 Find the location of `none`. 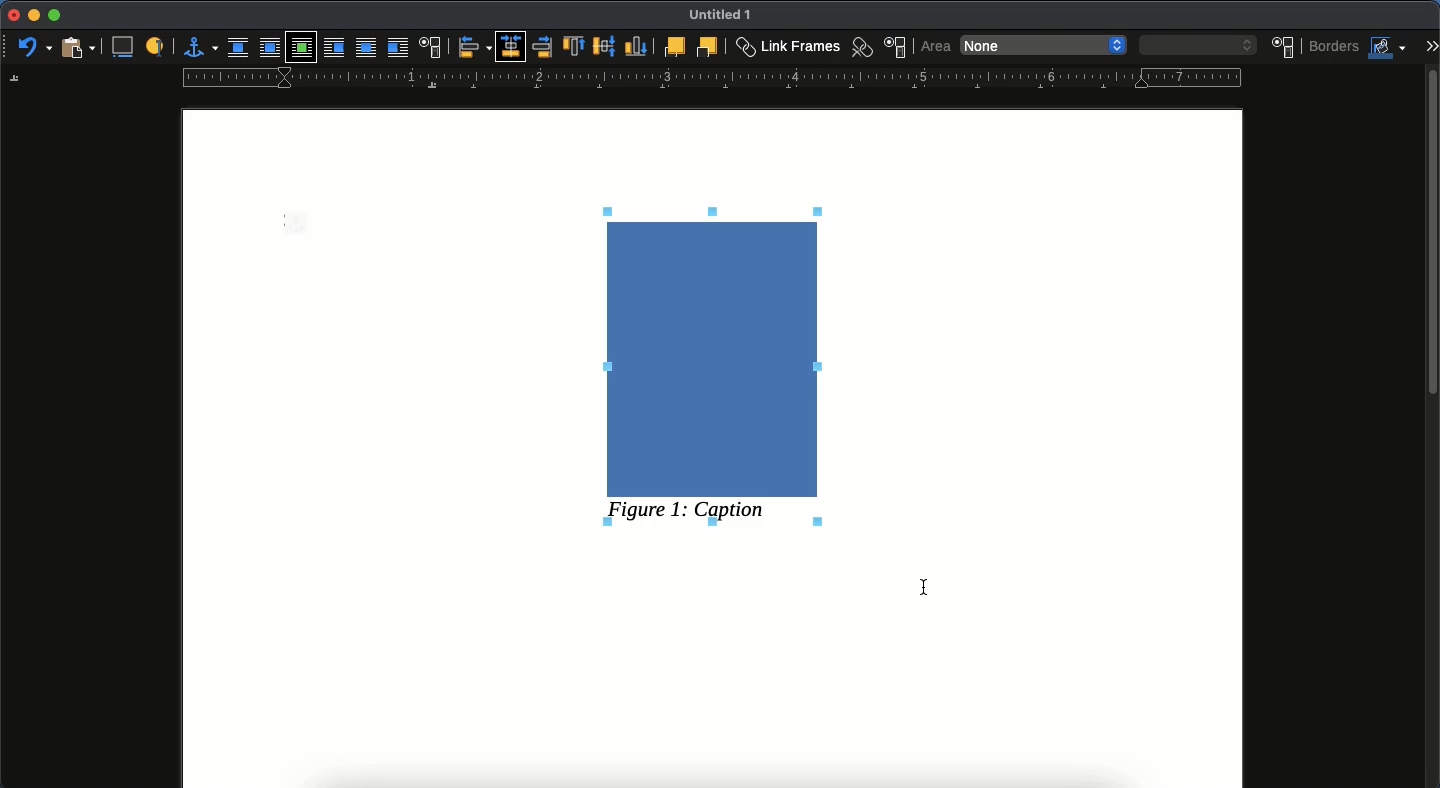

none is located at coordinates (1044, 45).